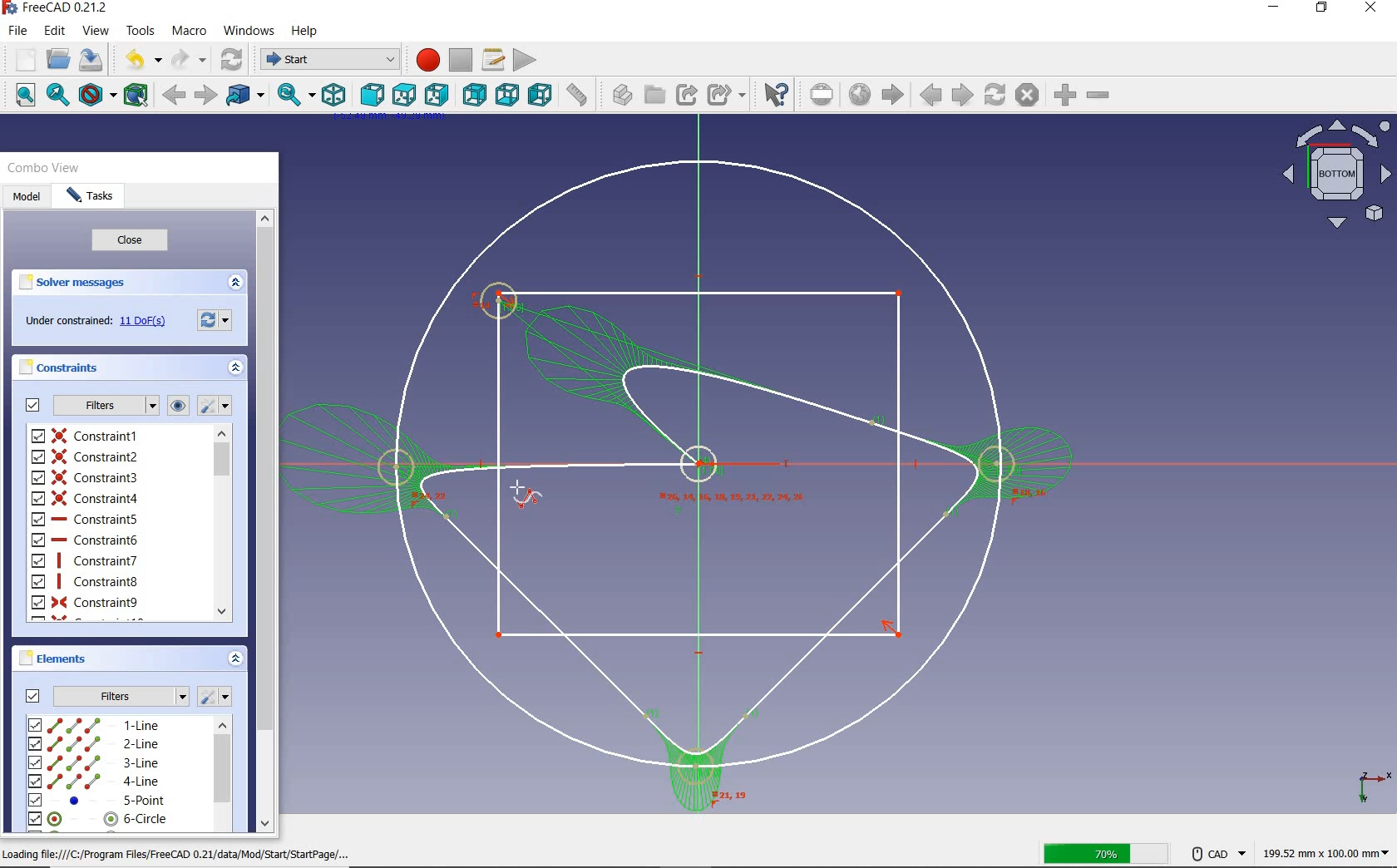  What do you see at coordinates (56, 32) in the screenshot?
I see `edit` at bounding box center [56, 32].